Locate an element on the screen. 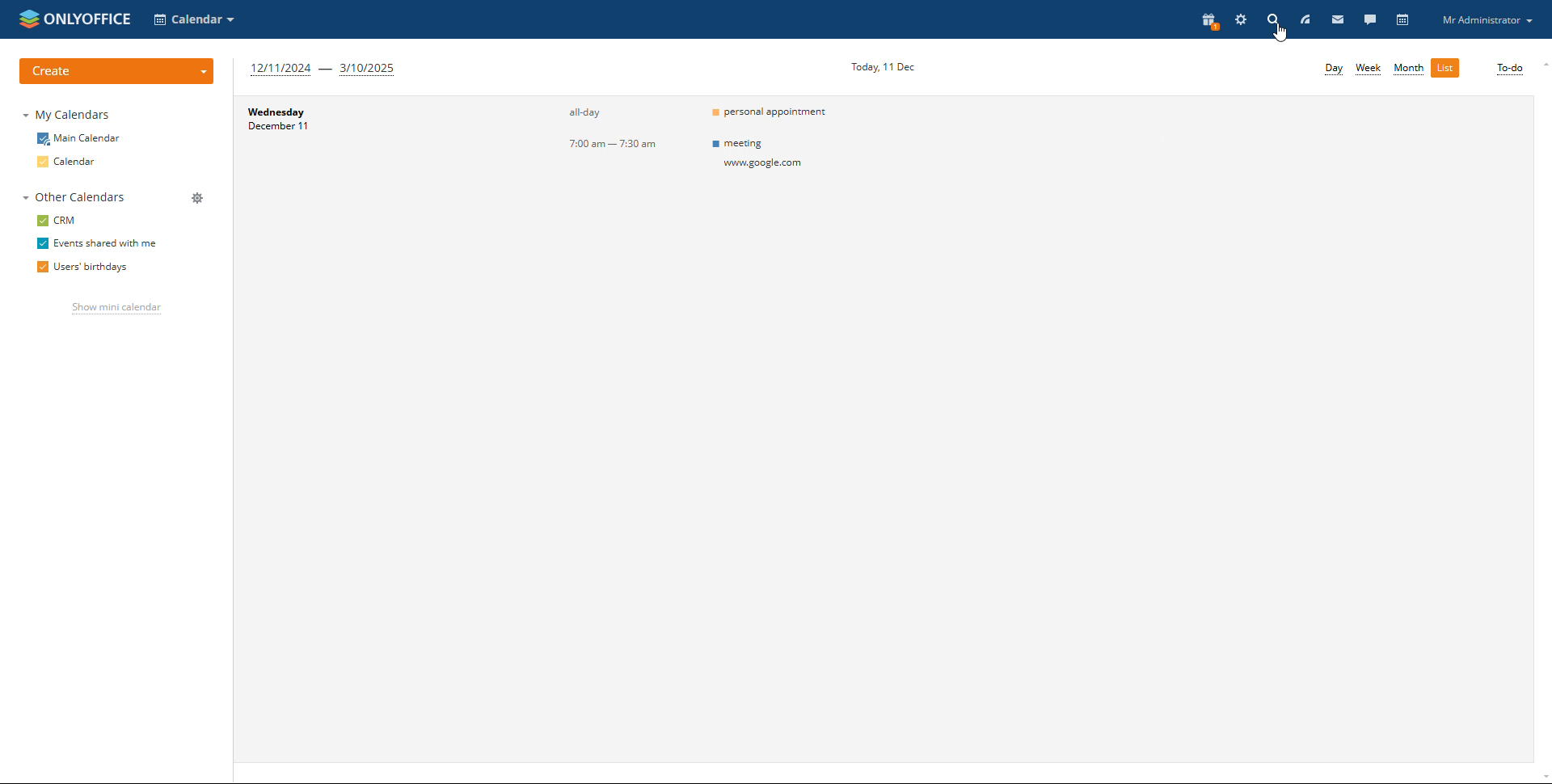 This screenshot has width=1552, height=784. manage is located at coordinates (196, 199).